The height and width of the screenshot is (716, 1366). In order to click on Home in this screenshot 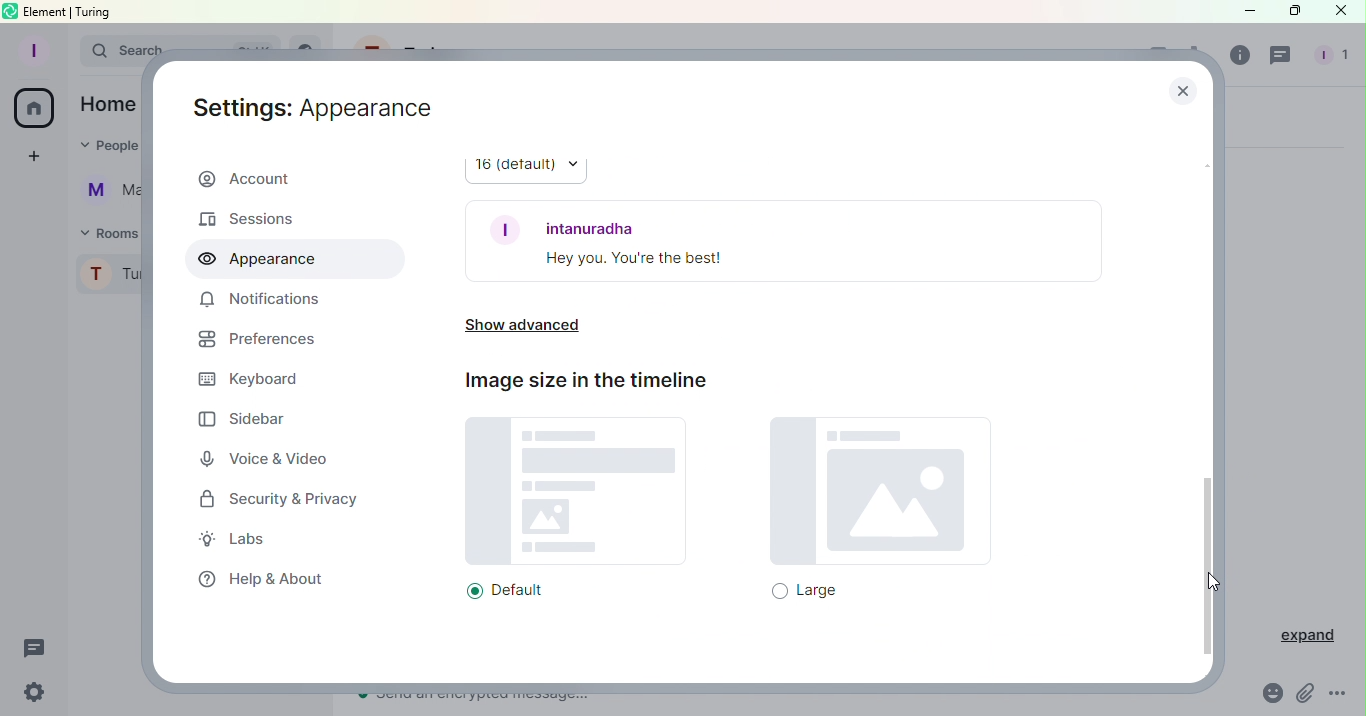, I will do `click(108, 107)`.